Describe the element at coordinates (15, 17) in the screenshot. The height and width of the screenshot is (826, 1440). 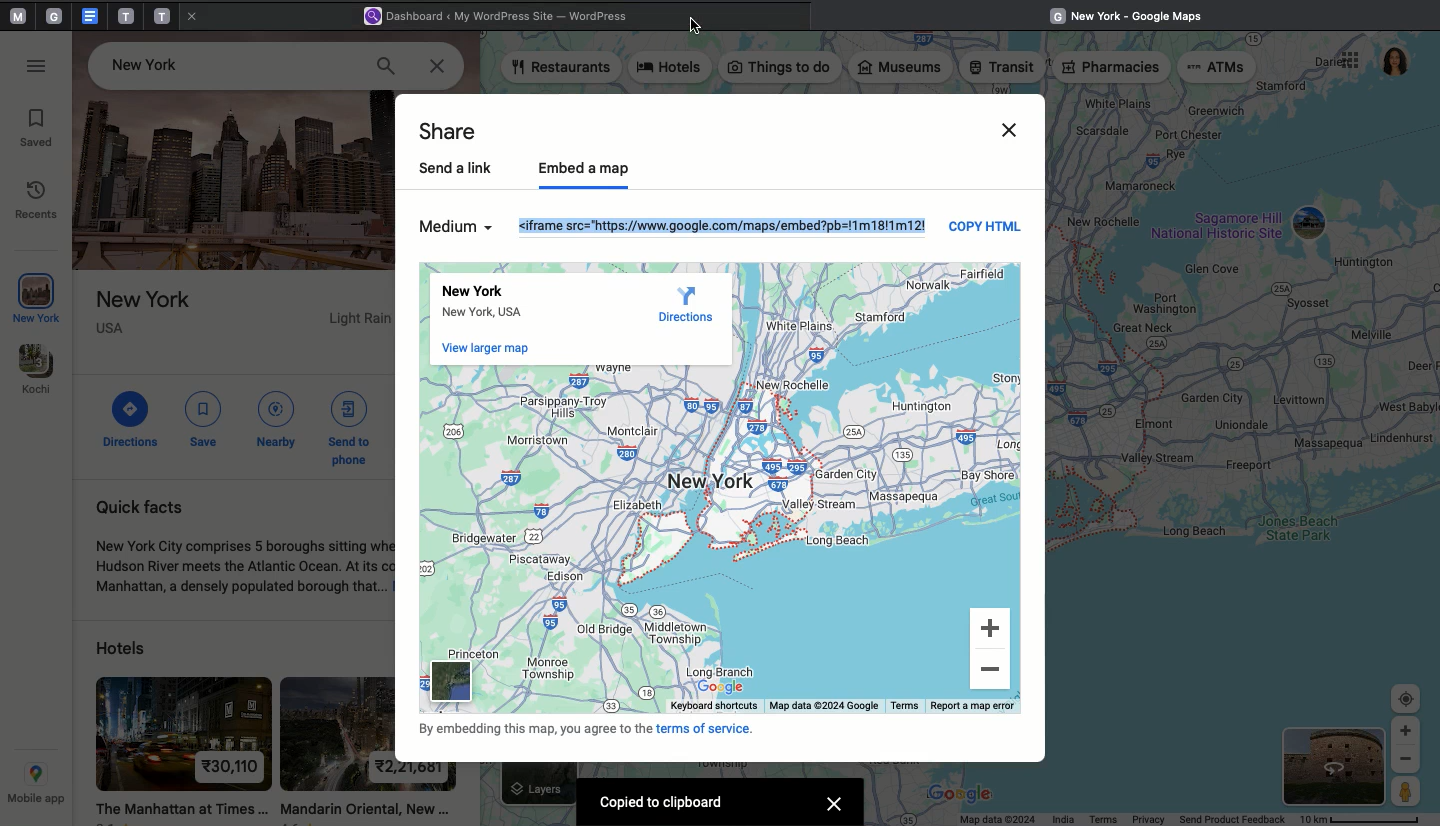
I see `Pinned tabs` at that location.